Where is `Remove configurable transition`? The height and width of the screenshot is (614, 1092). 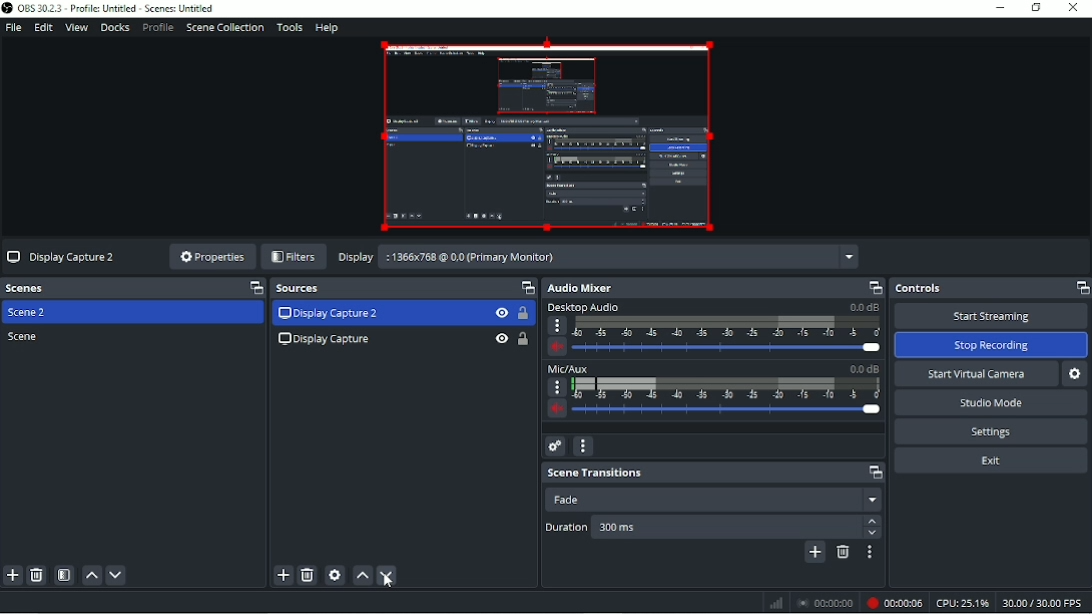 Remove configurable transition is located at coordinates (843, 553).